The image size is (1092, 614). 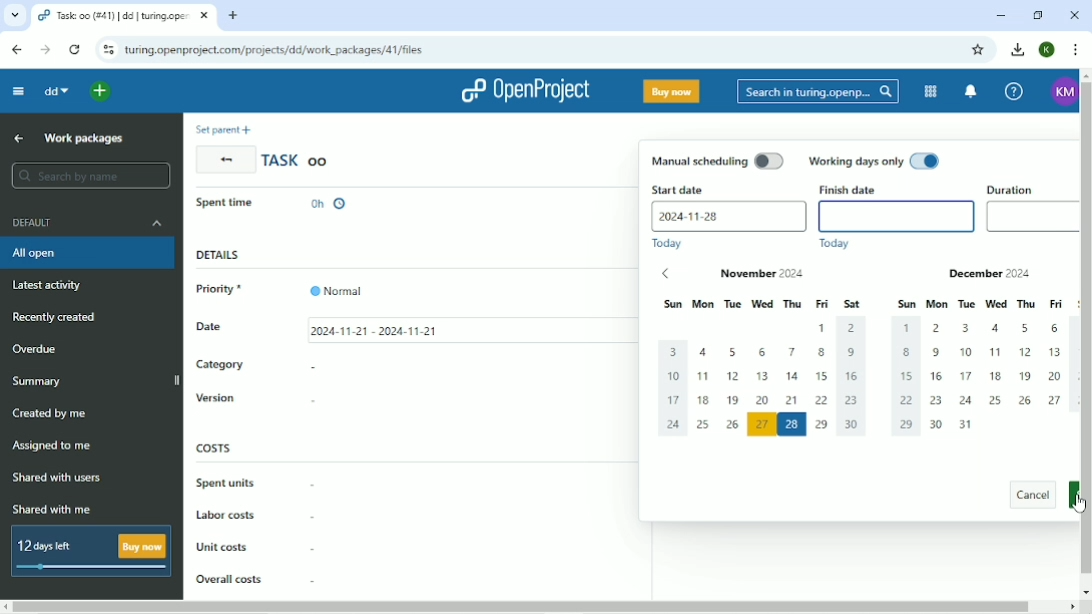 I want to click on To notification center, so click(x=972, y=91).